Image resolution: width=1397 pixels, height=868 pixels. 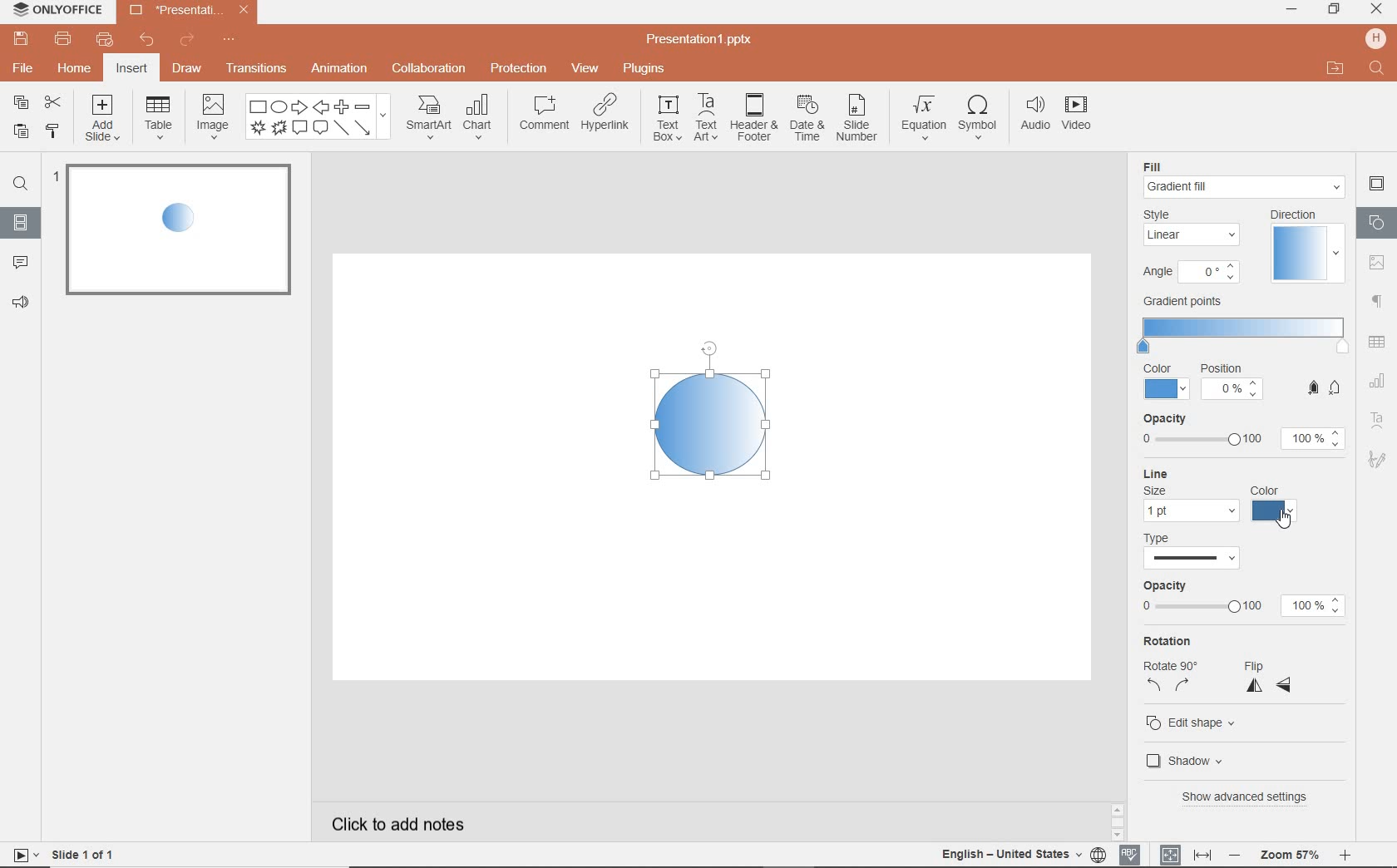 What do you see at coordinates (428, 118) in the screenshot?
I see `smart art` at bounding box center [428, 118].